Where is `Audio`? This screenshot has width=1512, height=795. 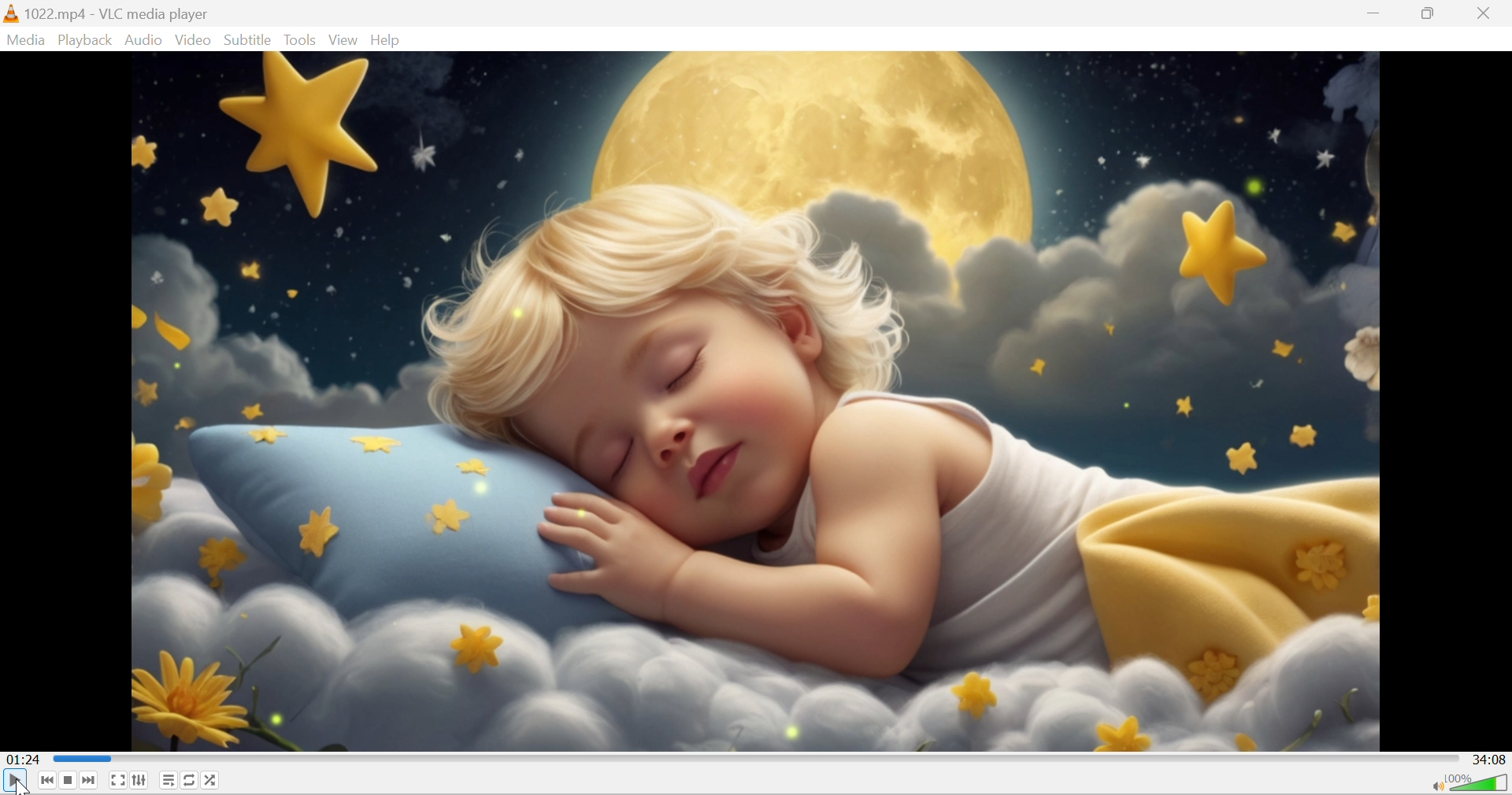 Audio is located at coordinates (143, 42).